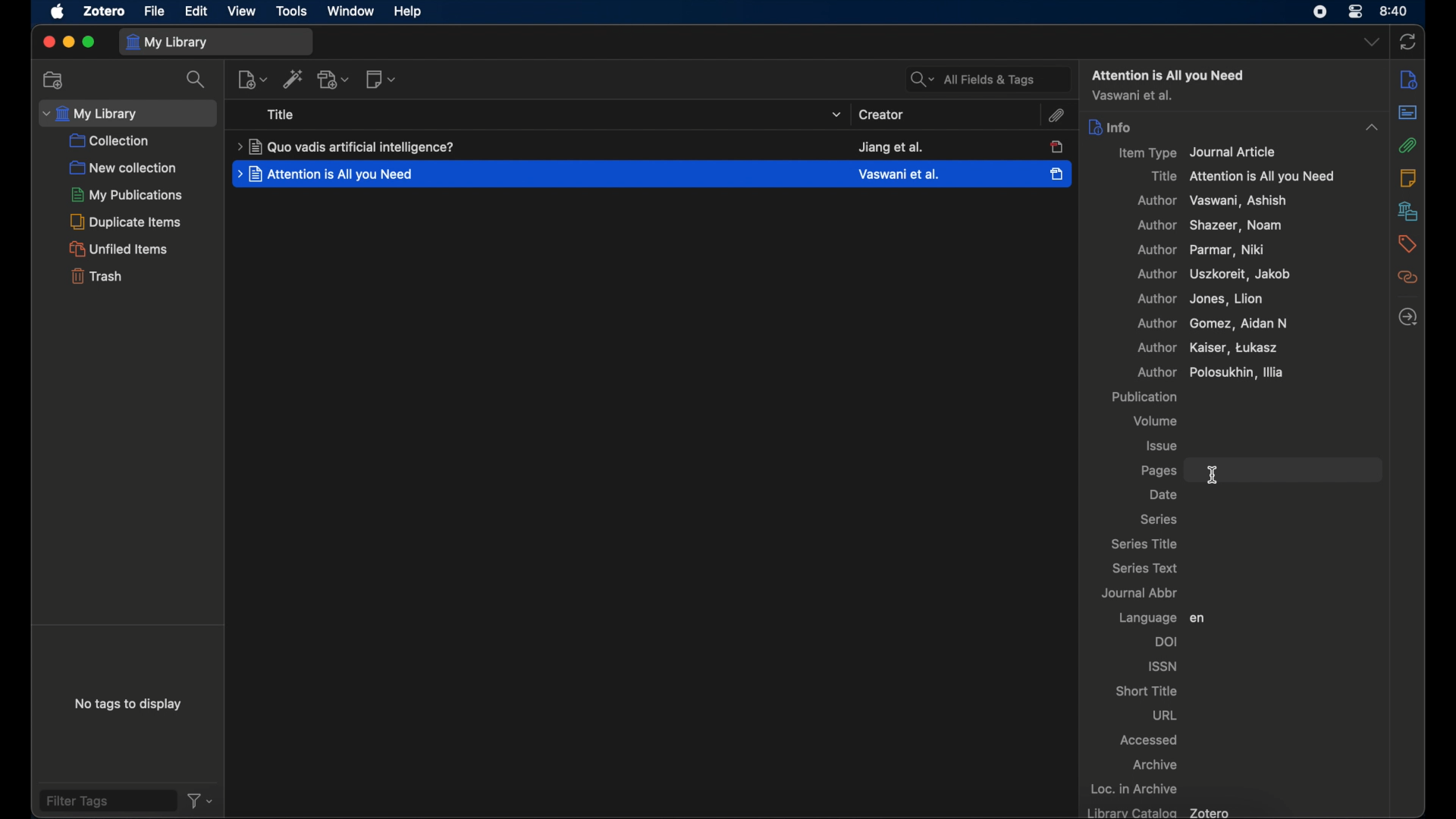  I want to click on time, so click(1396, 11).